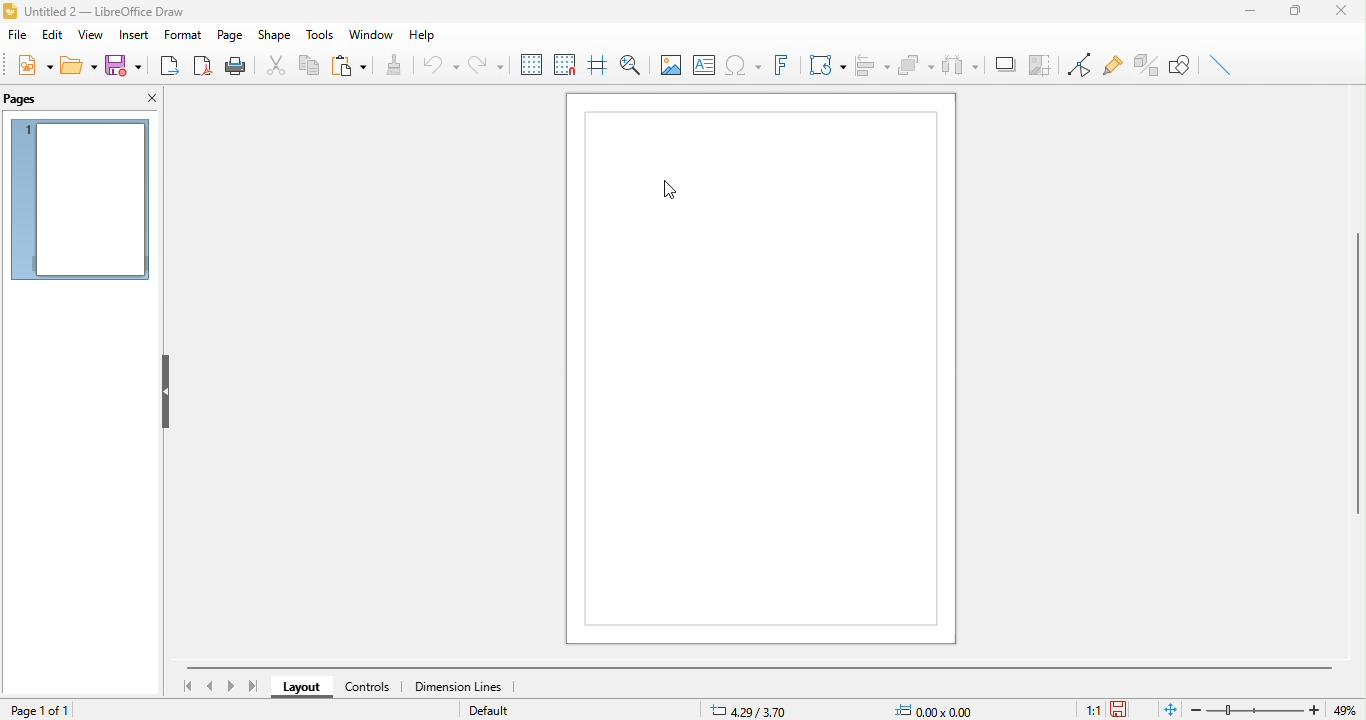 This screenshot has width=1366, height=720. I want to click on 4.29/3.70, so click(764, 710).